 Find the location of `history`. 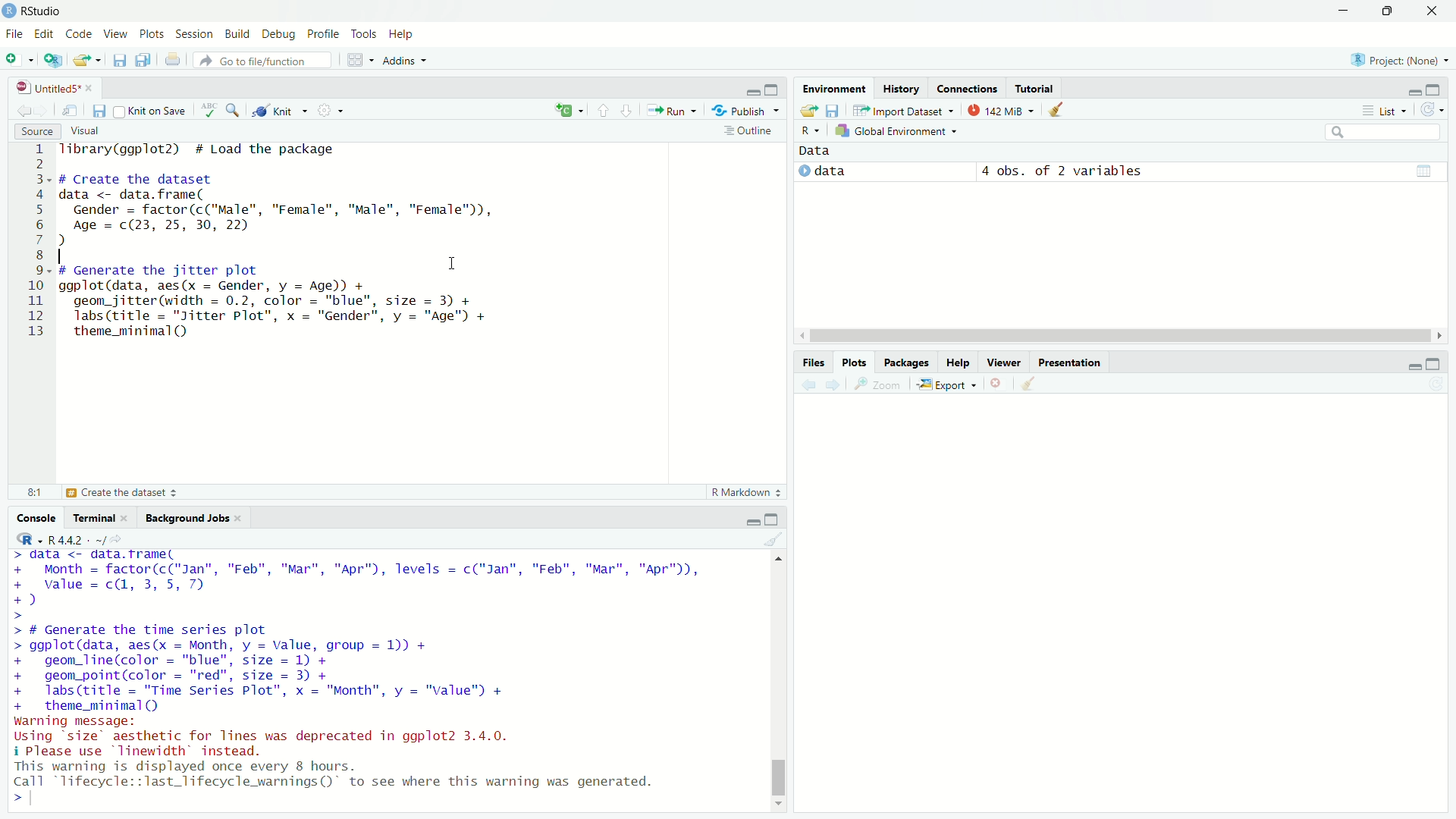

history is located at coordinates (900, 89).